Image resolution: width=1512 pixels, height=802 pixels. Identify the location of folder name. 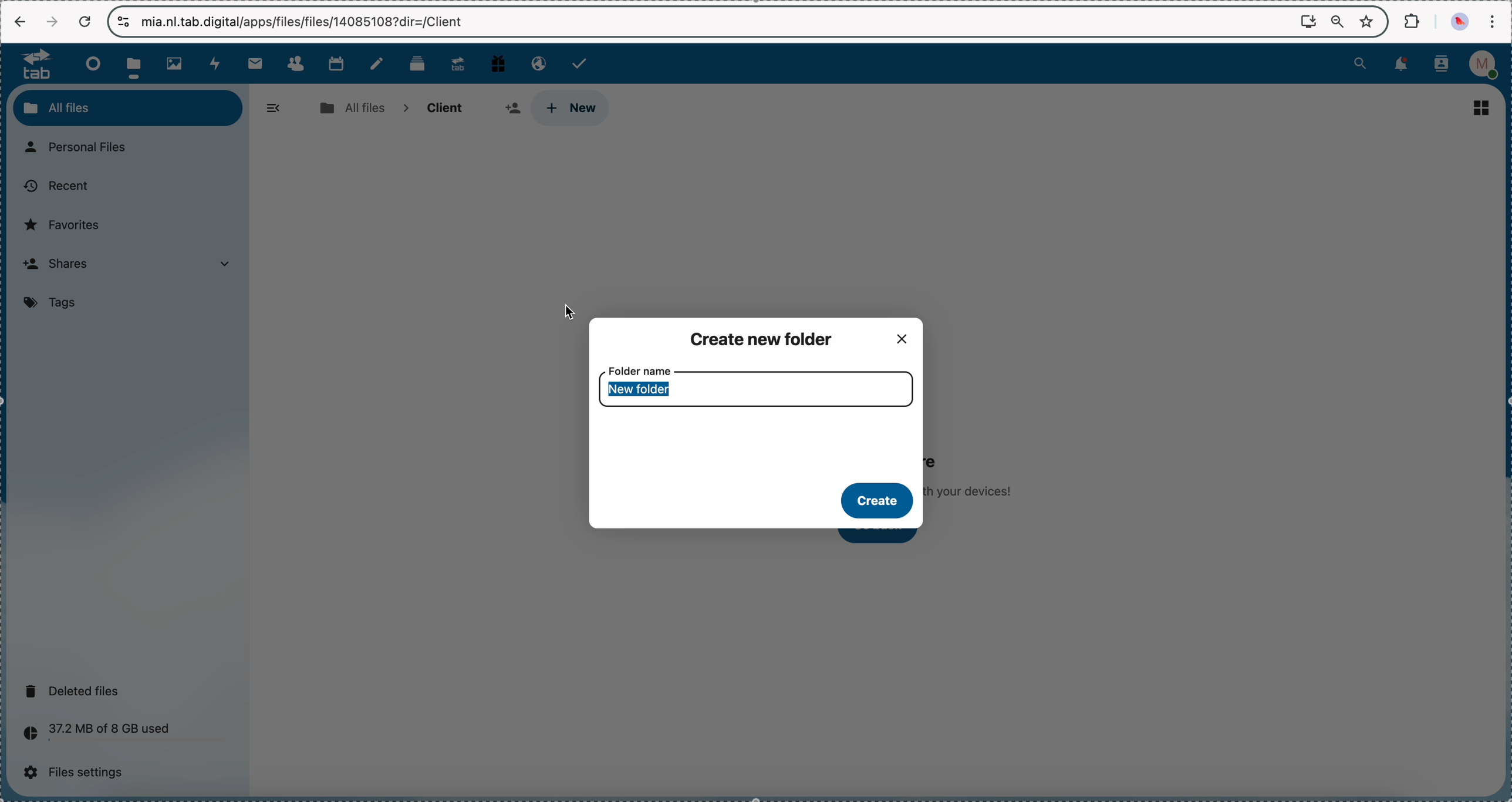
(642, 369).